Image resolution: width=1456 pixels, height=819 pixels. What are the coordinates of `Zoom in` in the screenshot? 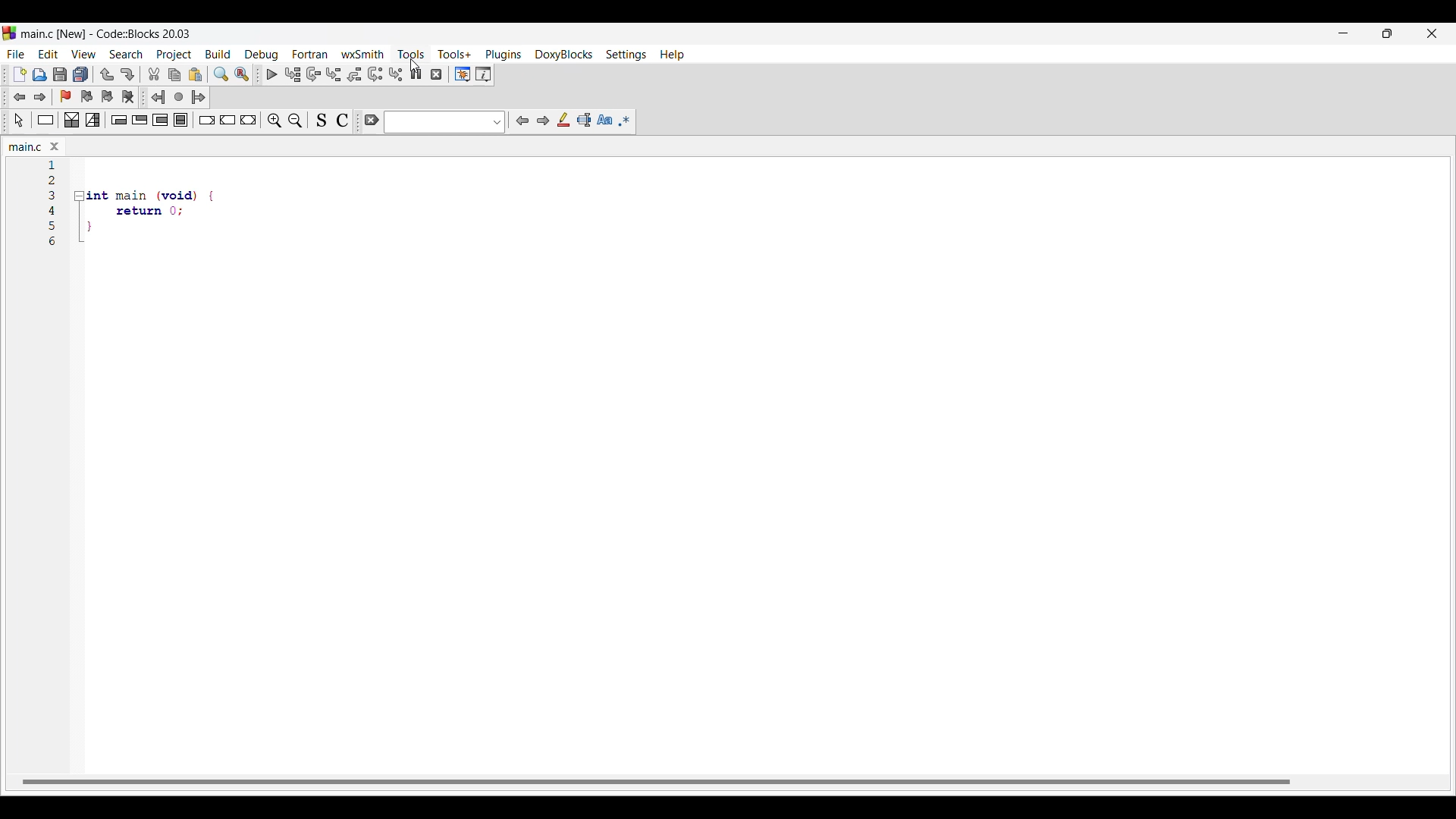 It's located at (275, 122).